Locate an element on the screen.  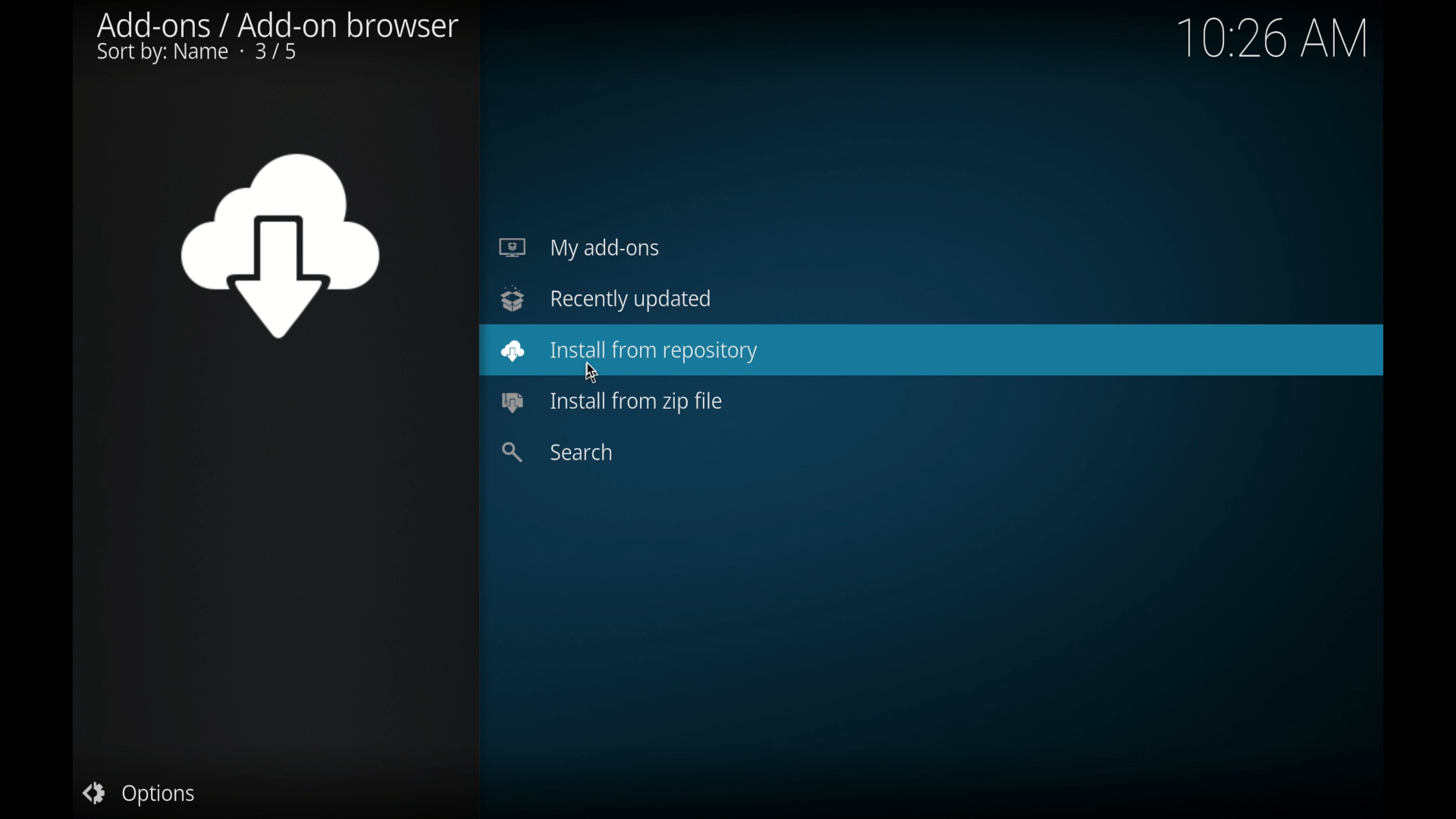
cursor is located at coordinates (592, 373).